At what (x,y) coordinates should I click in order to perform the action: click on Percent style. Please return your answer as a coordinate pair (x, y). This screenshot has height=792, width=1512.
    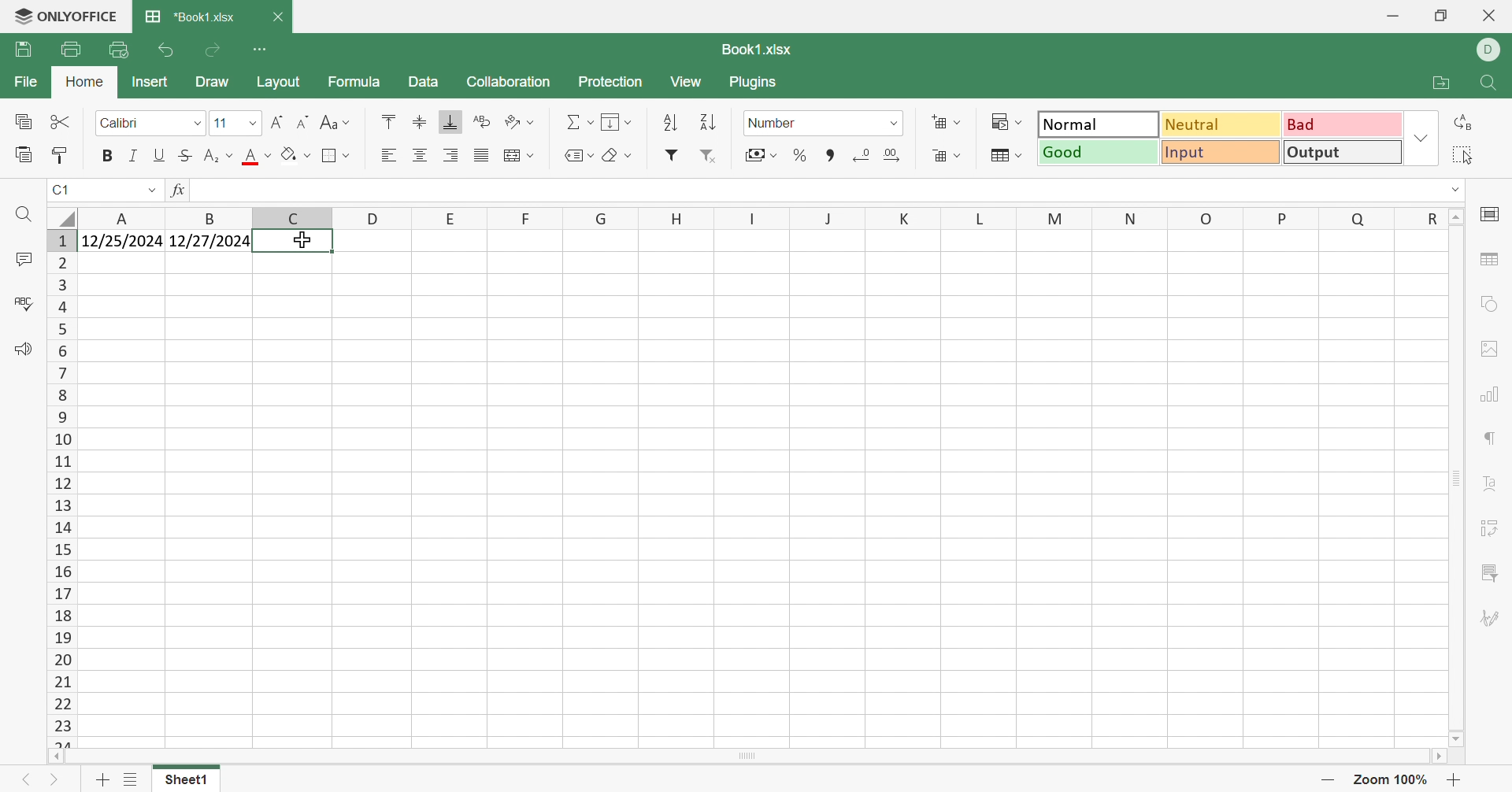
    Looking at the image, I should click on (802, 155).